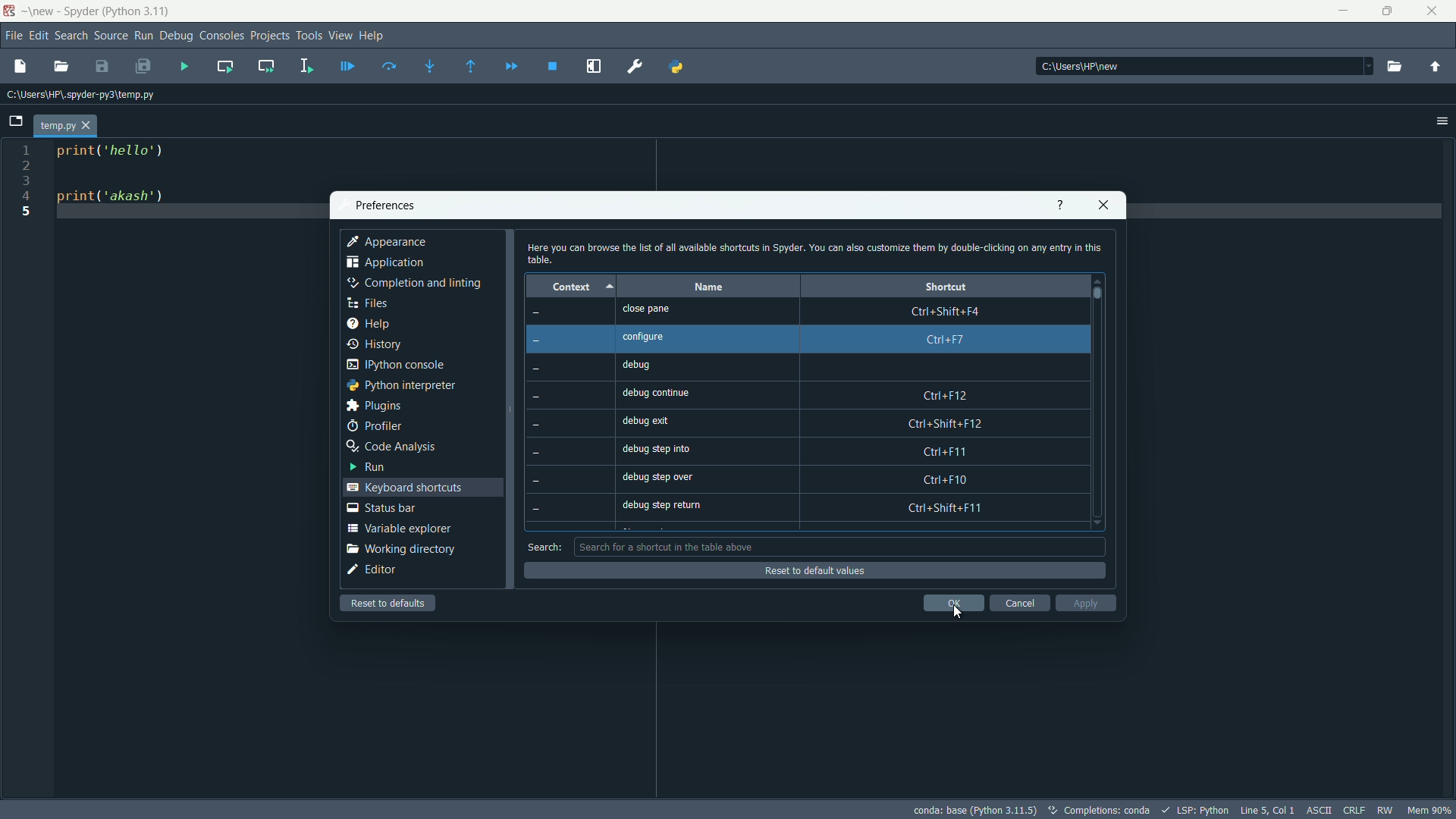  What do you see at coordinates (802, 570) in the screenshot?
I see `reset to default values` at bounding box center [802, 570].